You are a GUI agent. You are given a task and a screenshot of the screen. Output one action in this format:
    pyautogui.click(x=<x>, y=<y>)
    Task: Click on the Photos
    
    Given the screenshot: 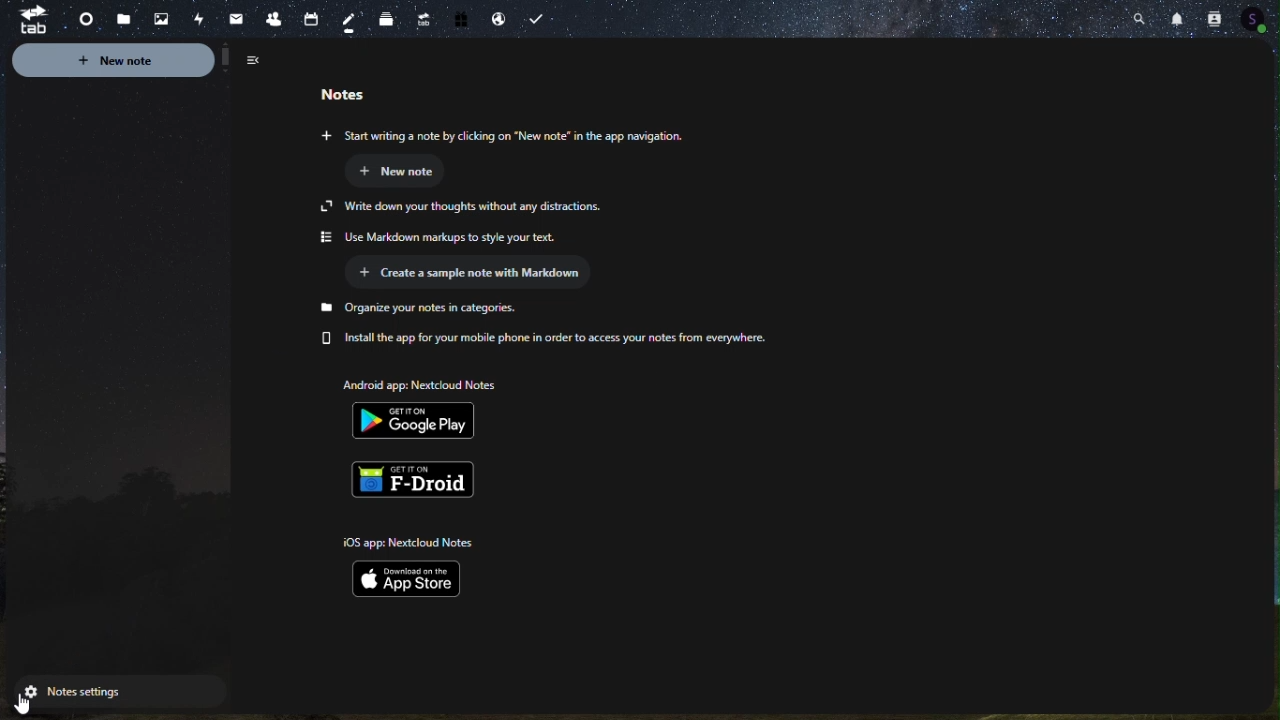 What is the action you would take?
    pyautogui.click(x=161, y=19)
    